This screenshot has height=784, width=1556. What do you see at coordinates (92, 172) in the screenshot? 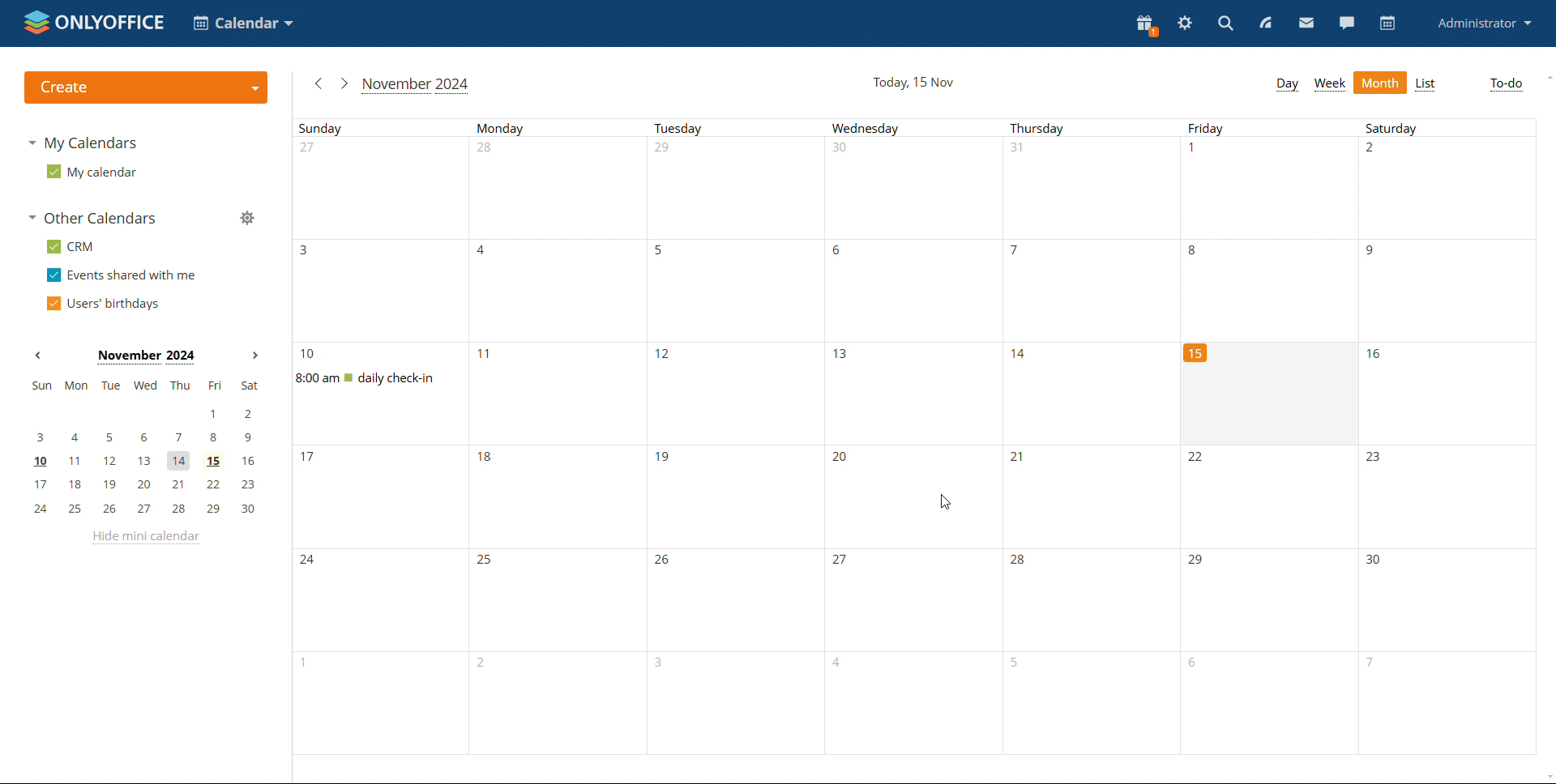
I see `my calendar` at bounding box center [92, 172].